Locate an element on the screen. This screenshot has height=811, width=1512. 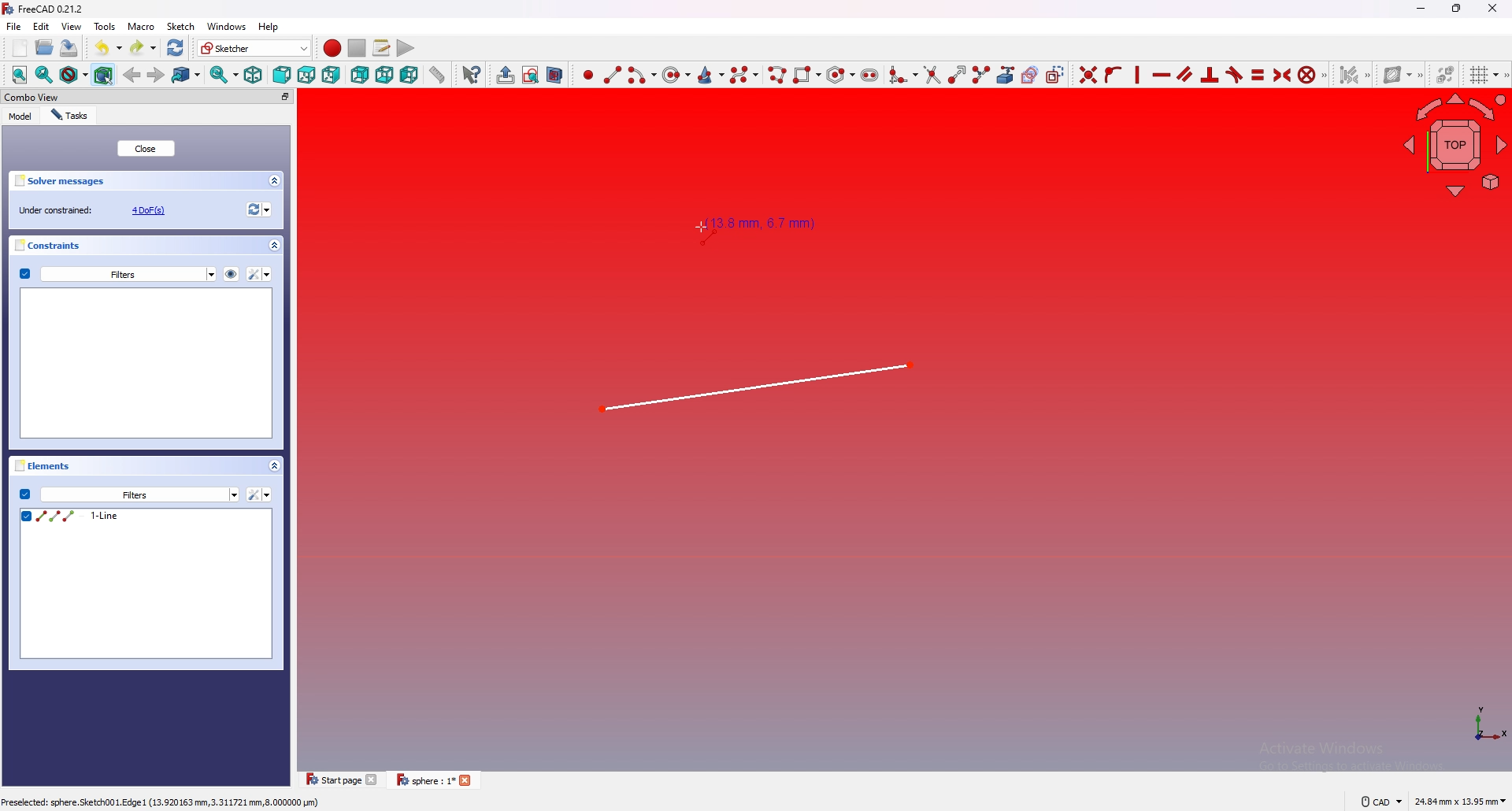
Execute macro is located at coordinates (404, 47).